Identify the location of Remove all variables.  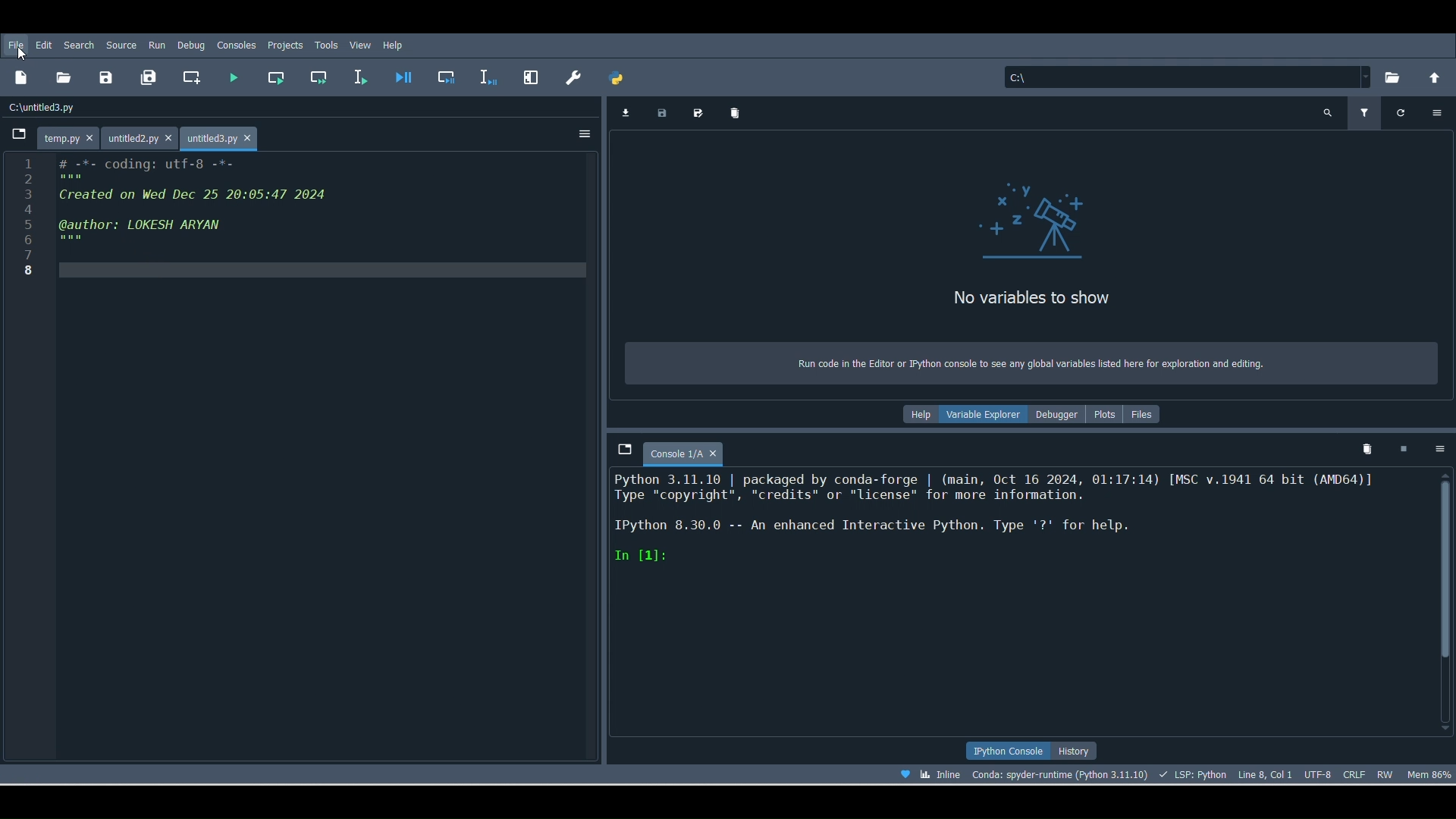
(740, 108).